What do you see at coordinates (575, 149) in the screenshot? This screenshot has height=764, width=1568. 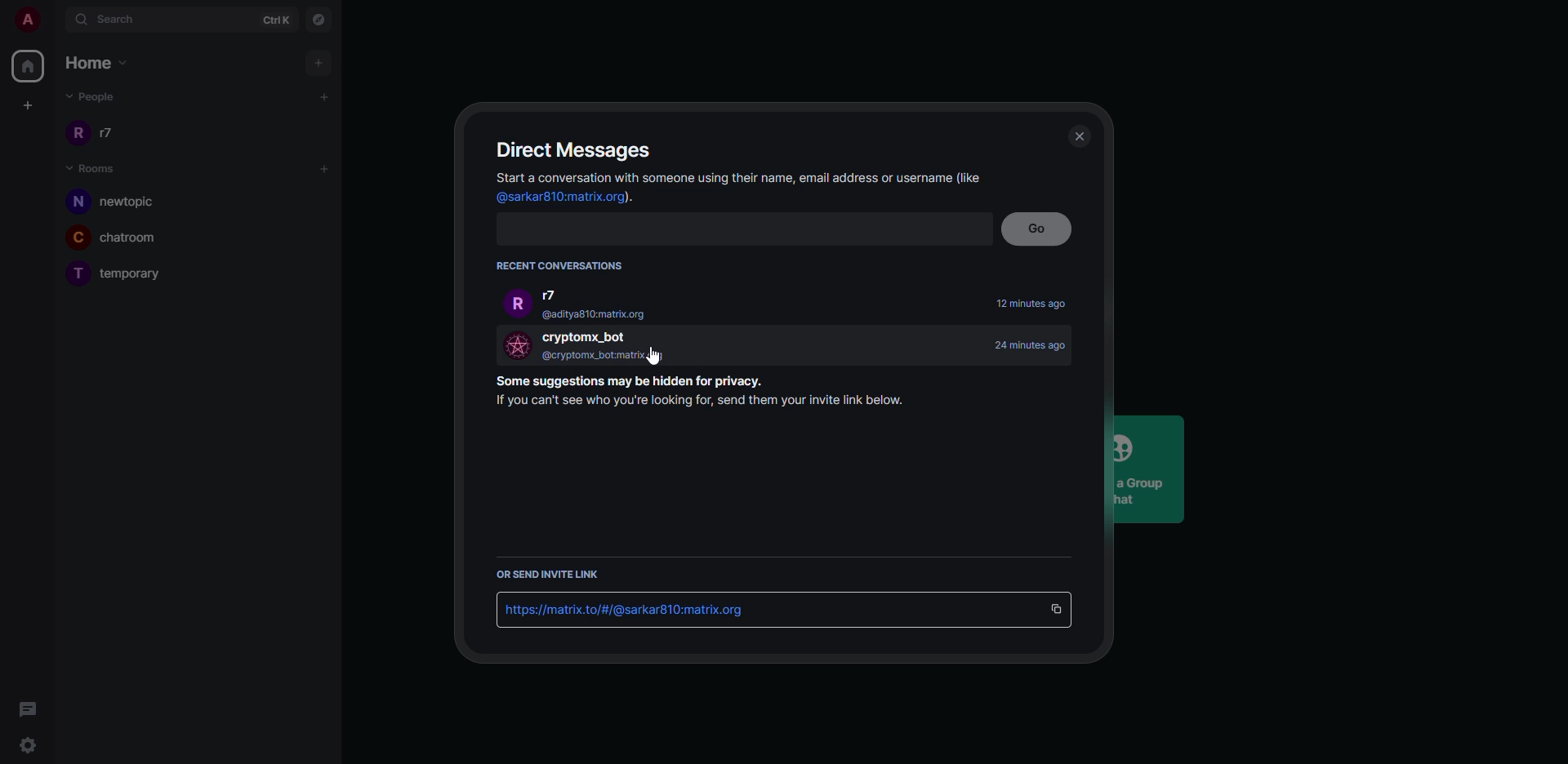 I see `direct message` at bounding box center [575, 149].